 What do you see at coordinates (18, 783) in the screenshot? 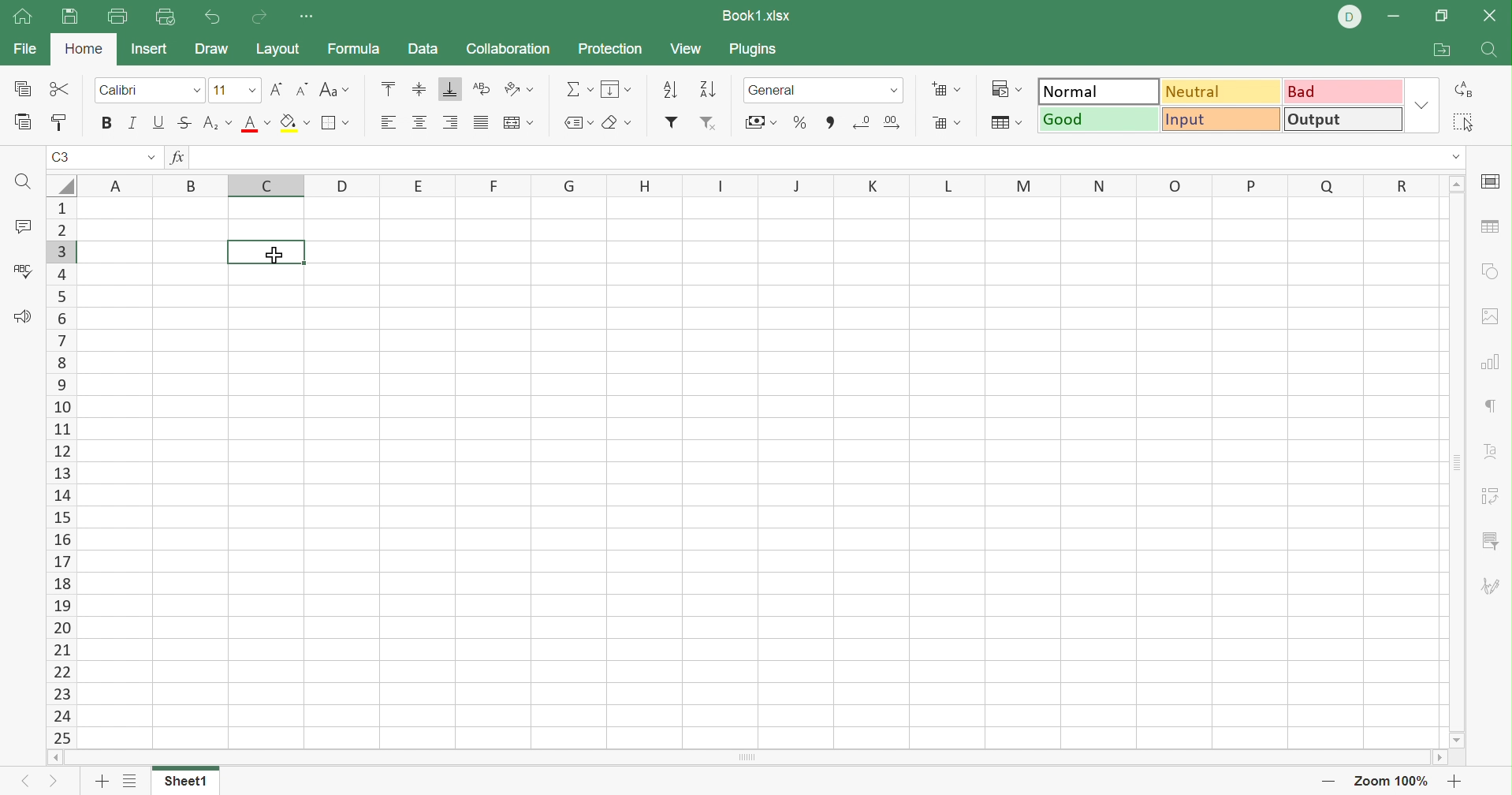
I see `Previous` at bounding box center [18, 783].